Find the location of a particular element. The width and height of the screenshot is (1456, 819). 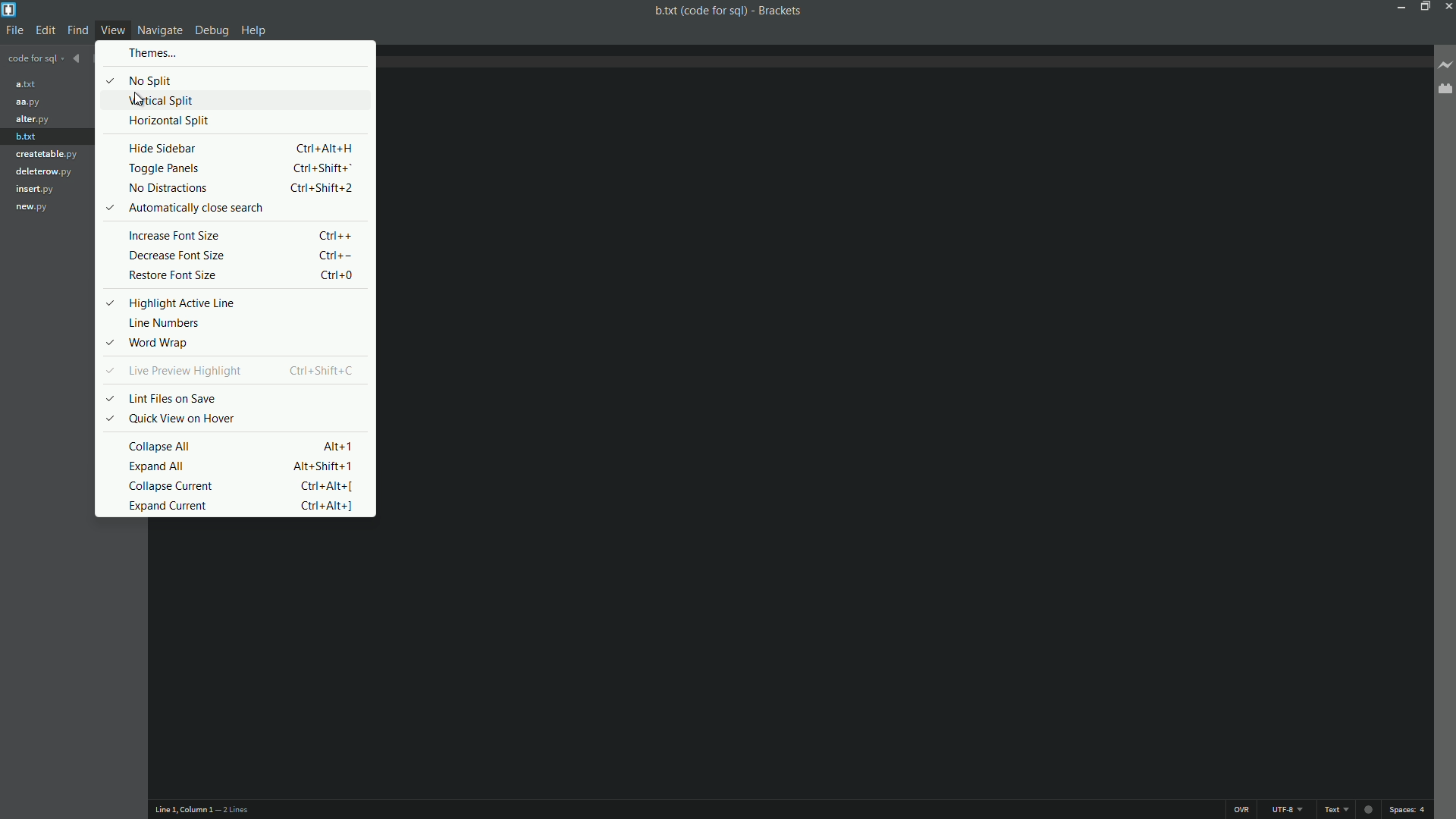

new.py is located at coordinates (31, 206).